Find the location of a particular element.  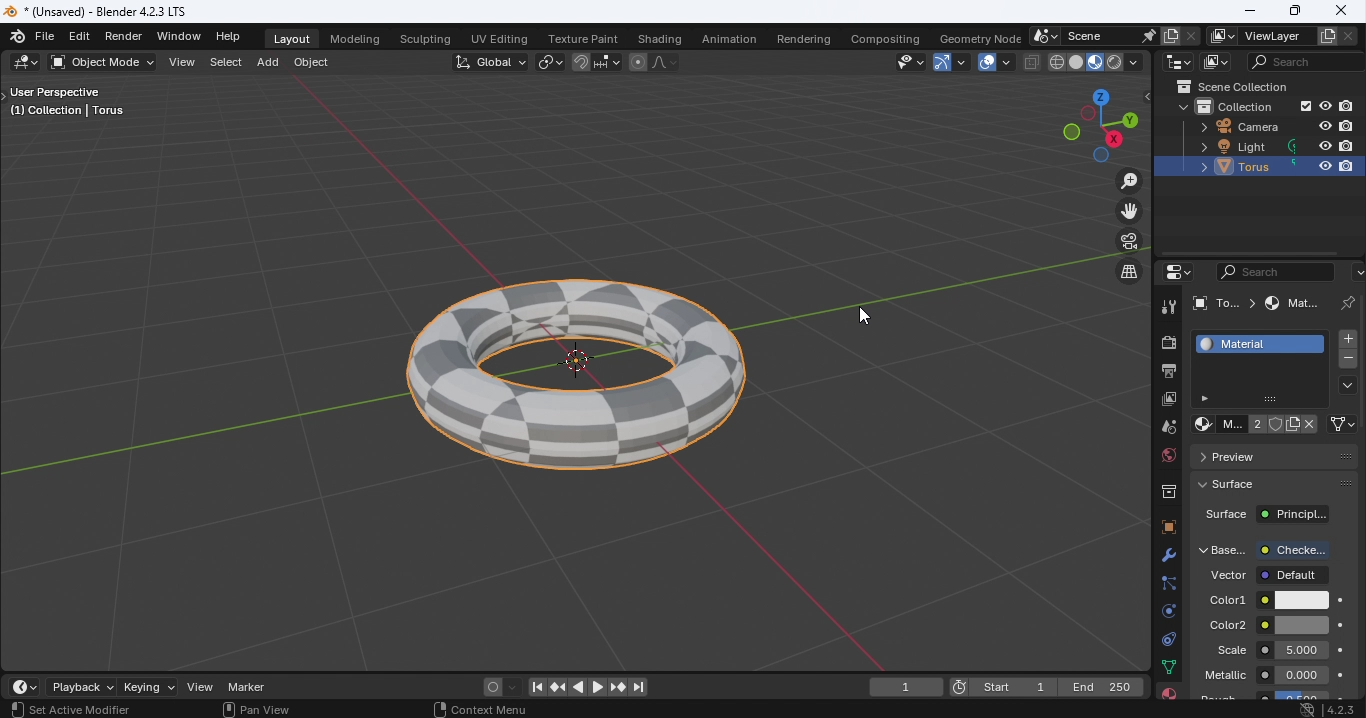

Surface is located at coordinates (1274, 485).